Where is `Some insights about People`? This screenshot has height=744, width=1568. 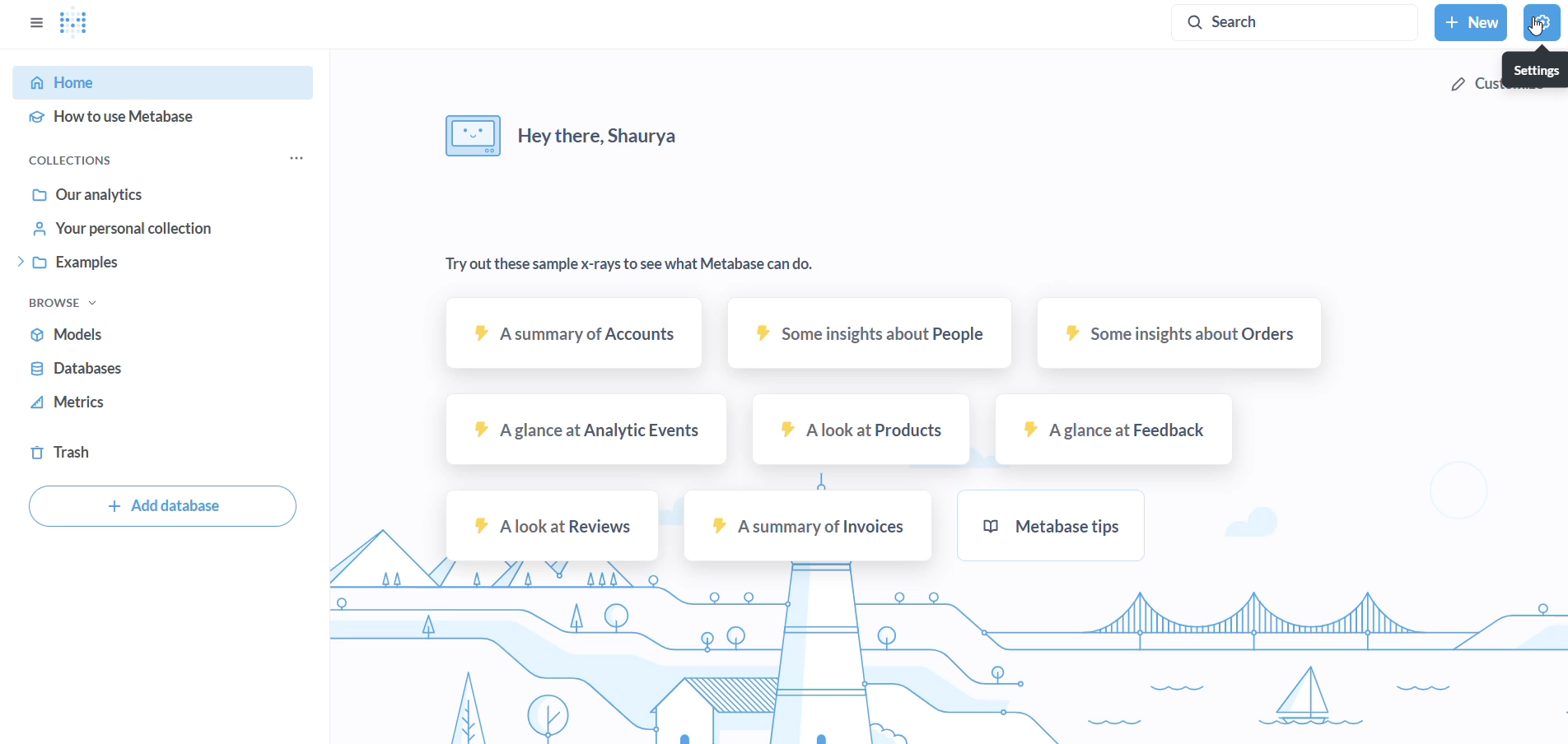
Some insights about People is located at coordinates (870, 334).